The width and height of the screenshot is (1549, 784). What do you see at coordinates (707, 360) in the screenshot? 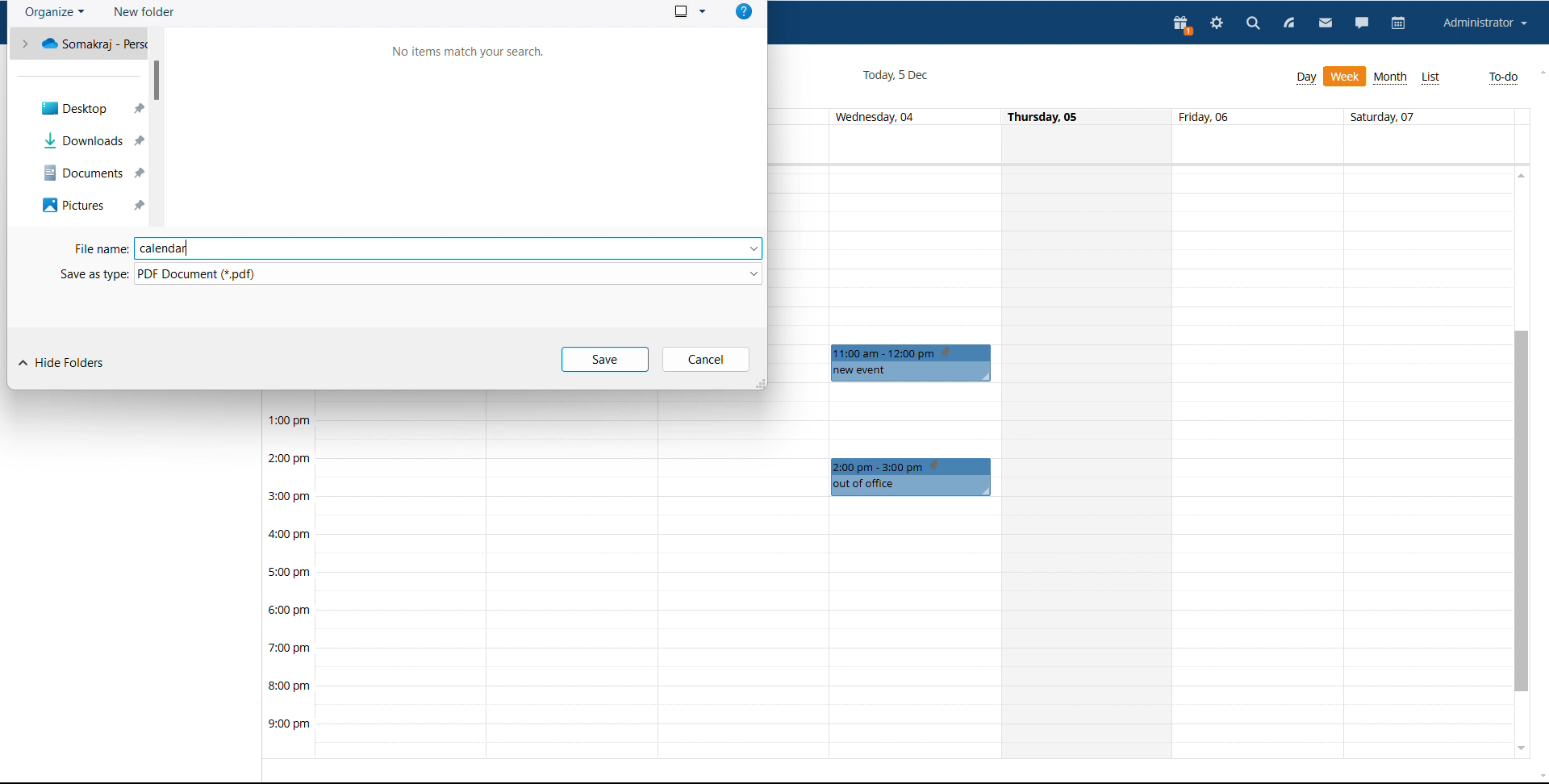
I see `cancel` at bounding box center [707, 360].